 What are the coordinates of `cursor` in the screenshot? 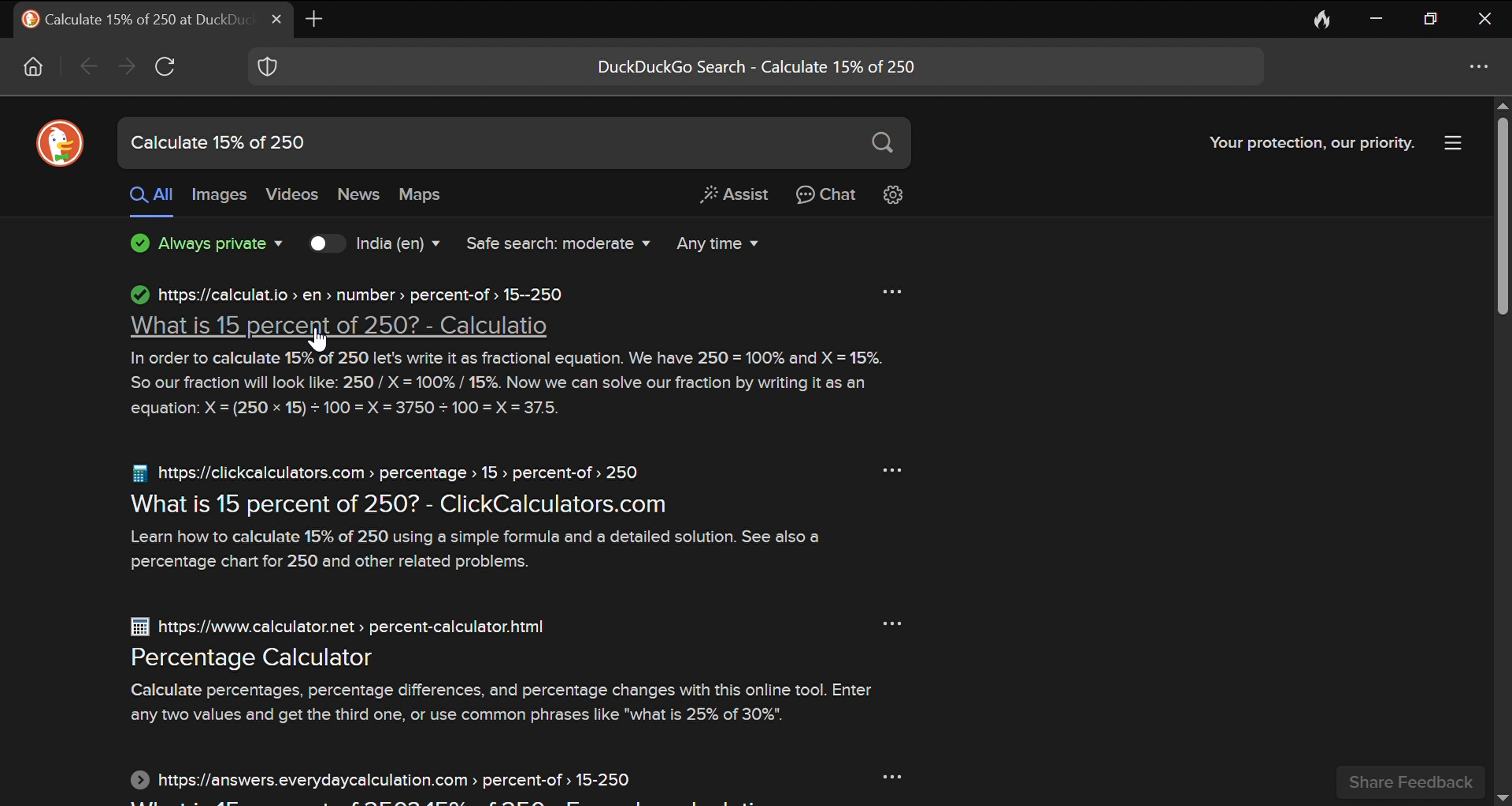 It's located at (321, 343).